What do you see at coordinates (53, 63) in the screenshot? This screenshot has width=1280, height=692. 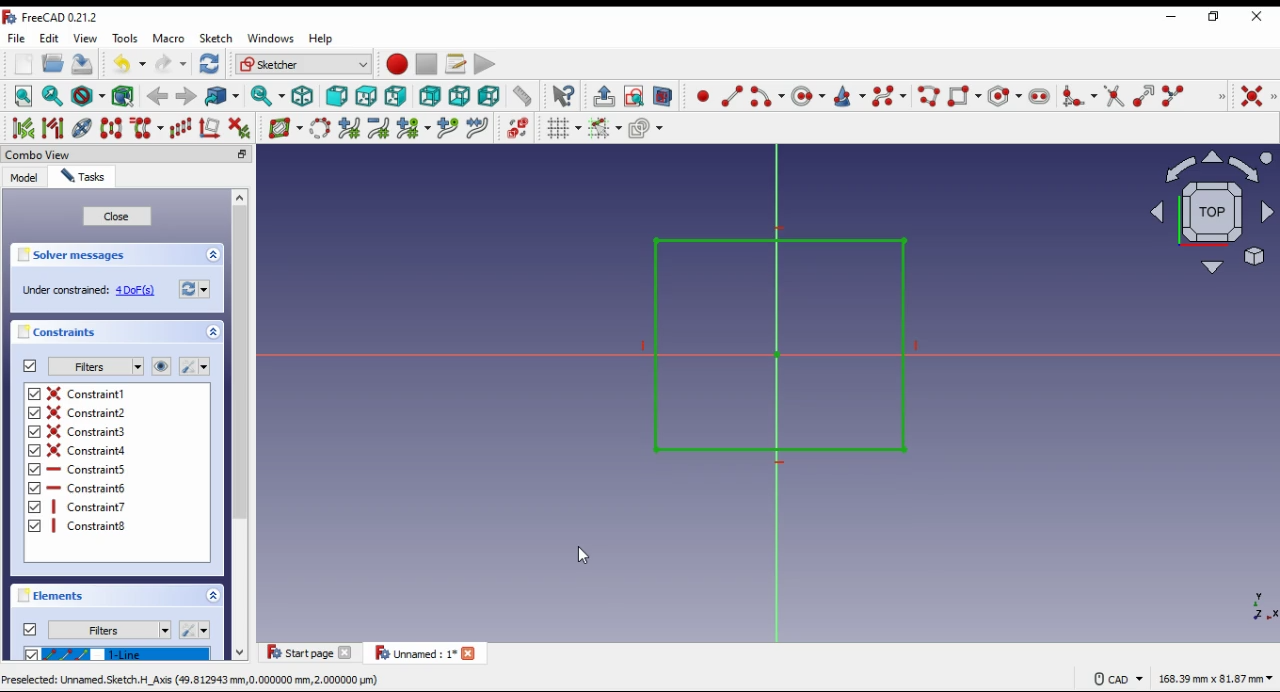 I see `open` at bounding box center [53, 63].